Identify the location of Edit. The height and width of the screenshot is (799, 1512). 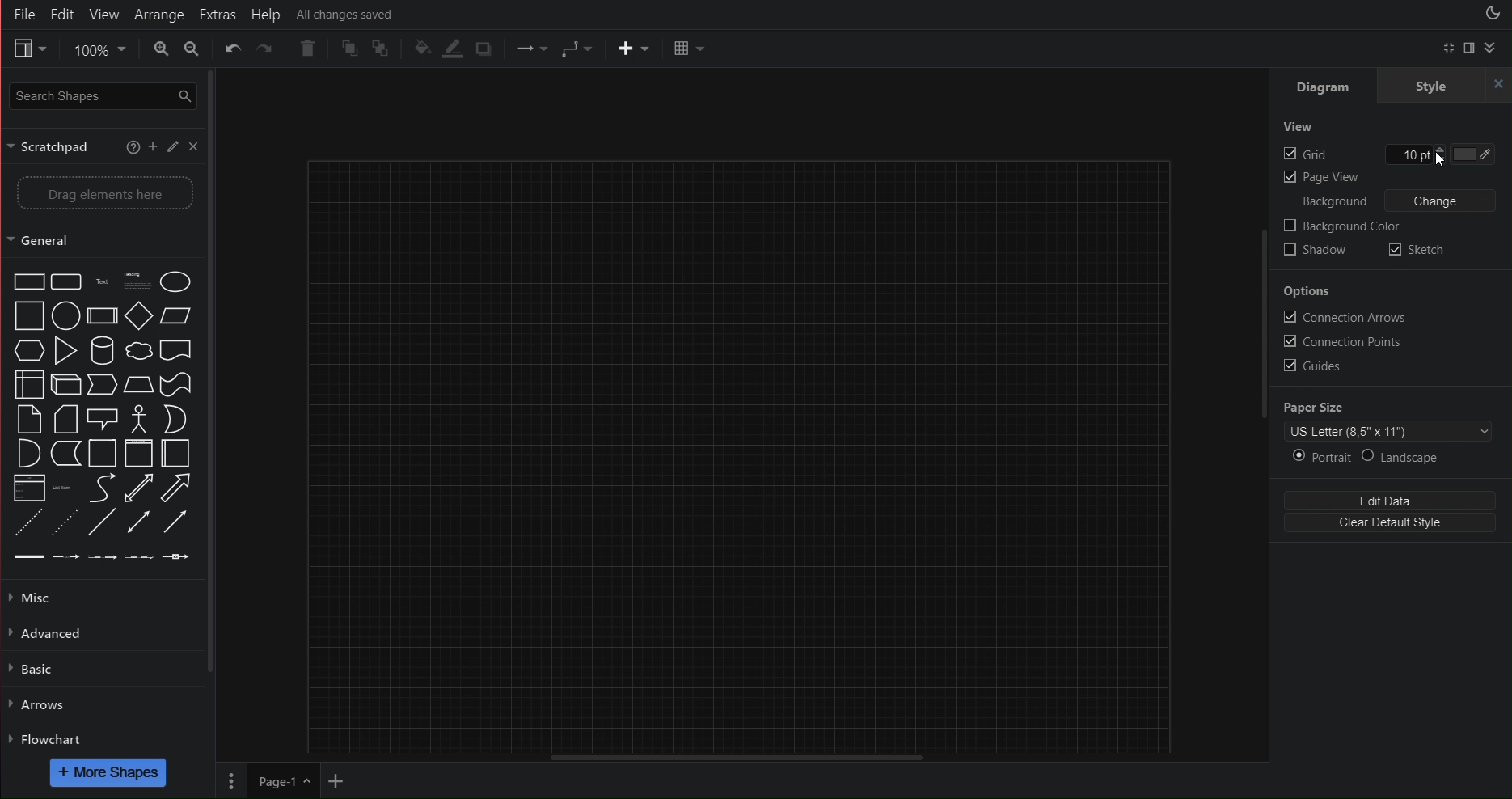
(172, 149).